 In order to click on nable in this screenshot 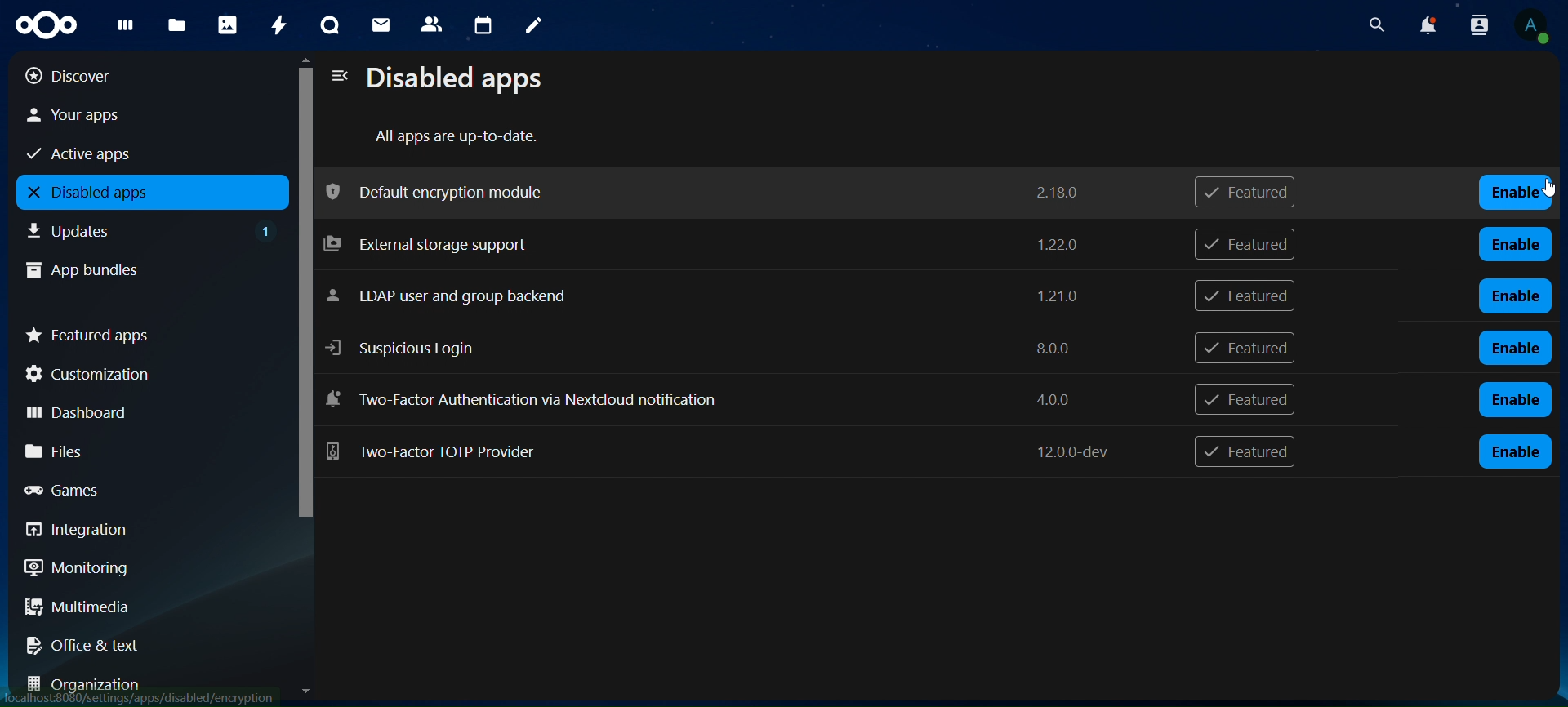, I will do `click(1517, 452)`.